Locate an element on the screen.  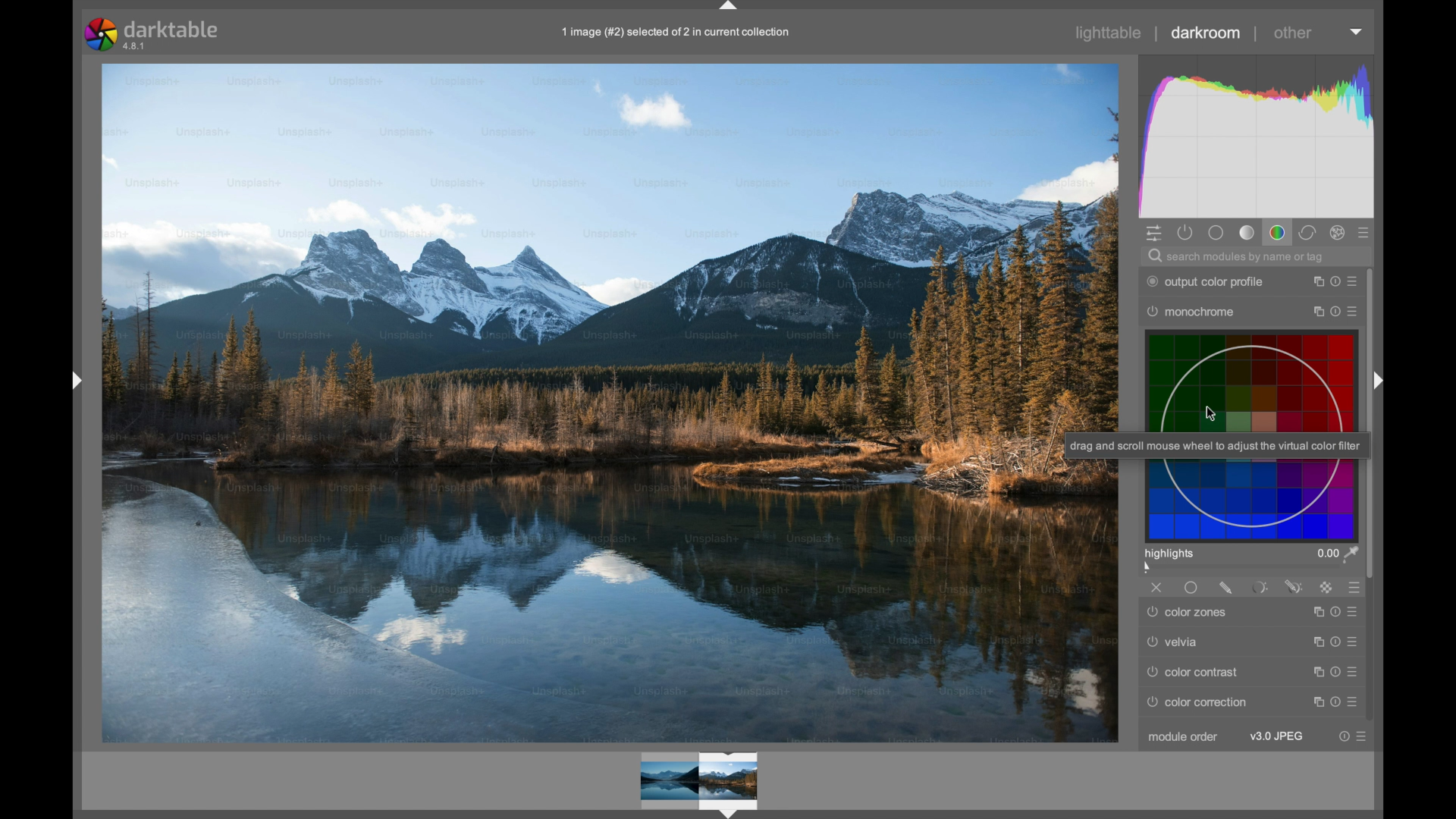
reset is located at coordinates (1336, 613).